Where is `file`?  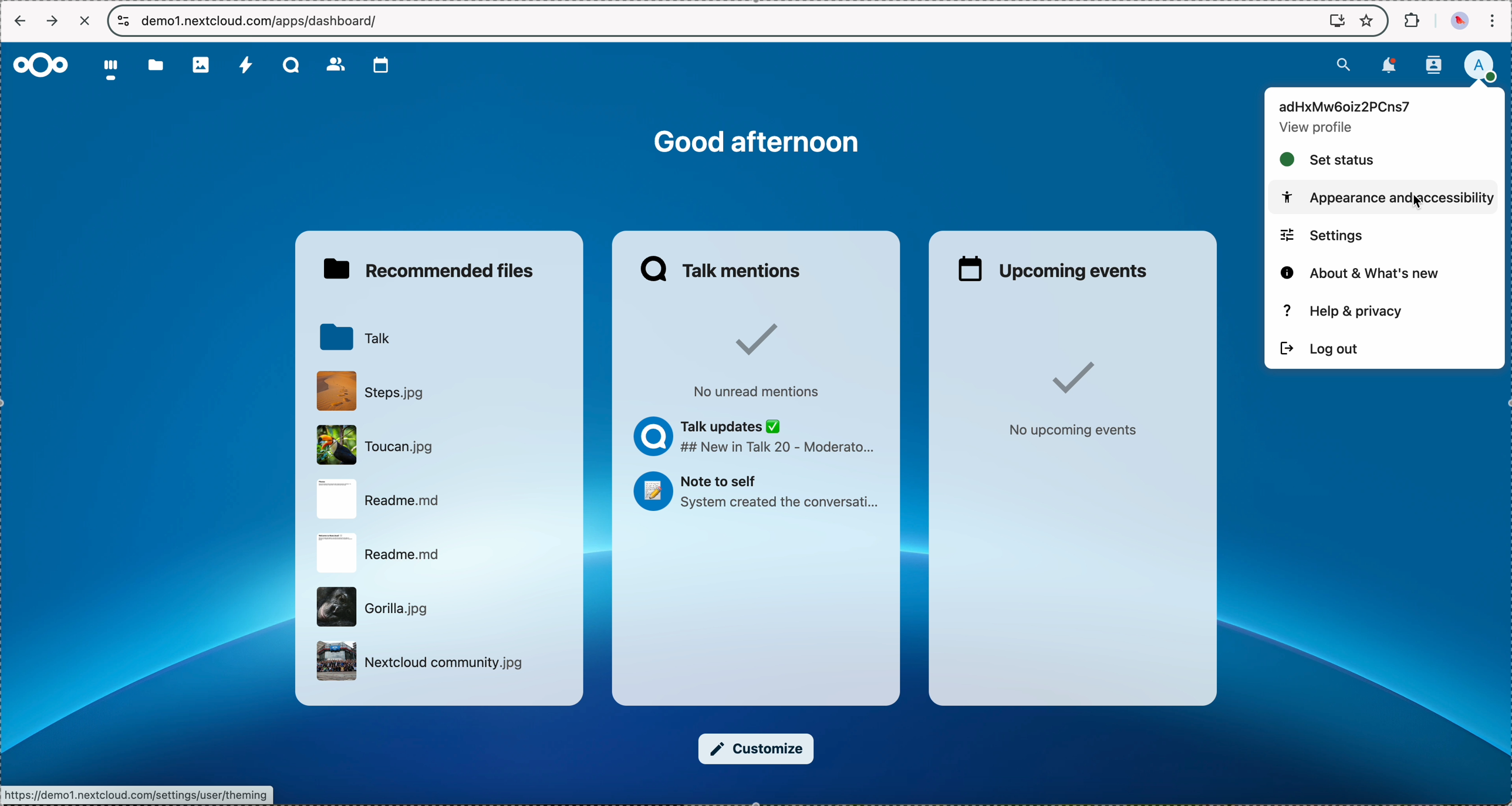
file is located at coordinates (419, 661).